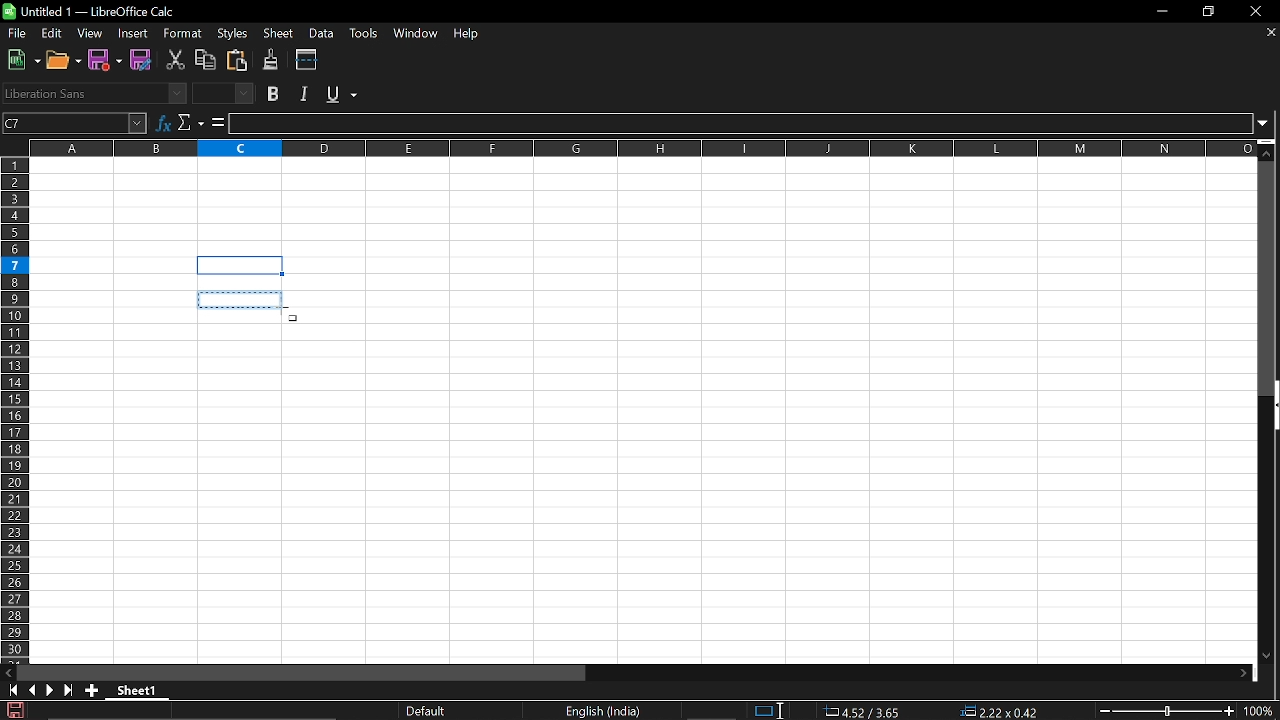 The width and height of the screenshot is (1280, 720). Describe the element at coordinates (235, 32) in the screenshot. I see `Styles` at that location.